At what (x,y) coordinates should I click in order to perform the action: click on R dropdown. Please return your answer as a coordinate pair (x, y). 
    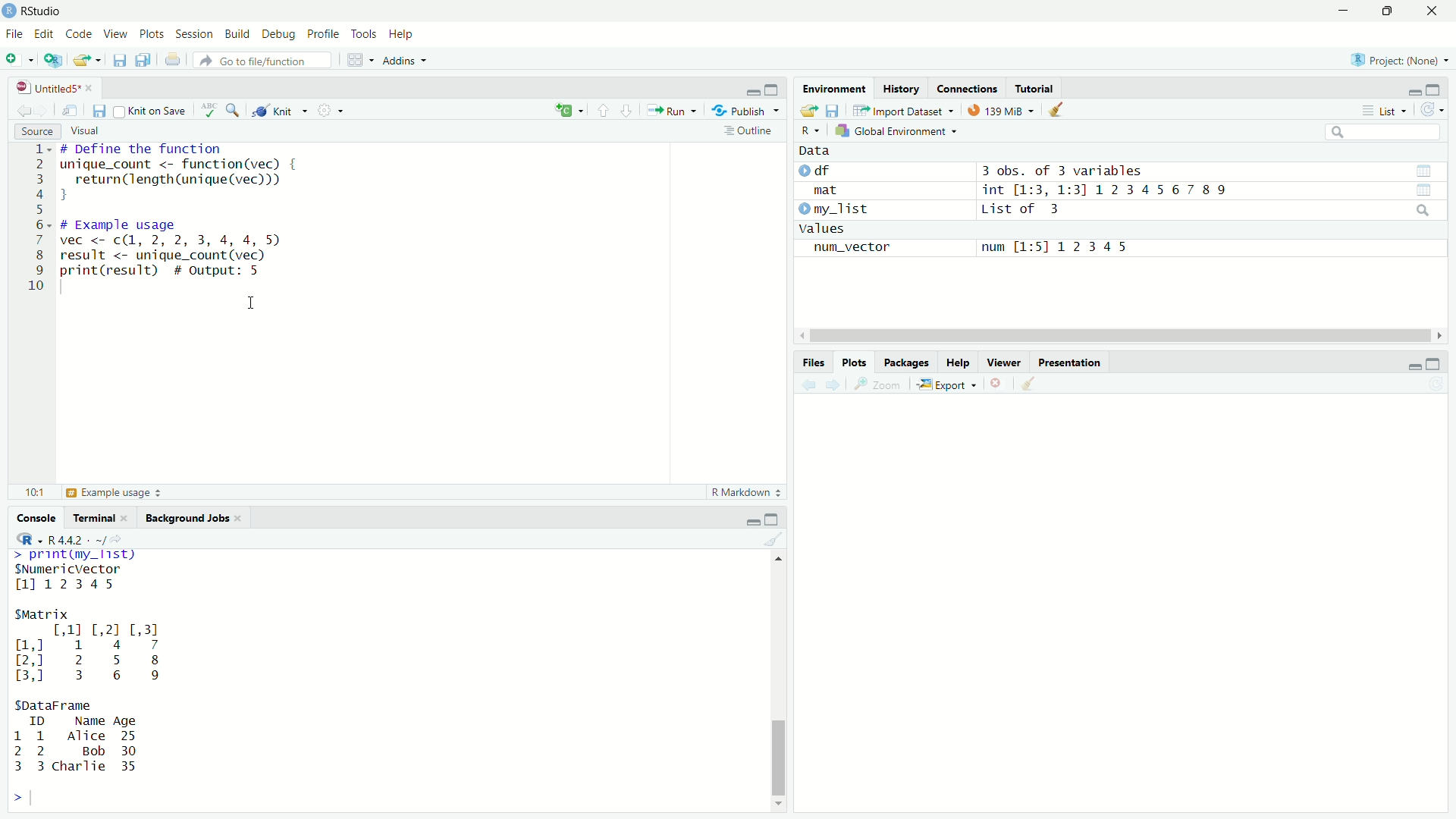
    Looking at the image, I should click on (30, 539).